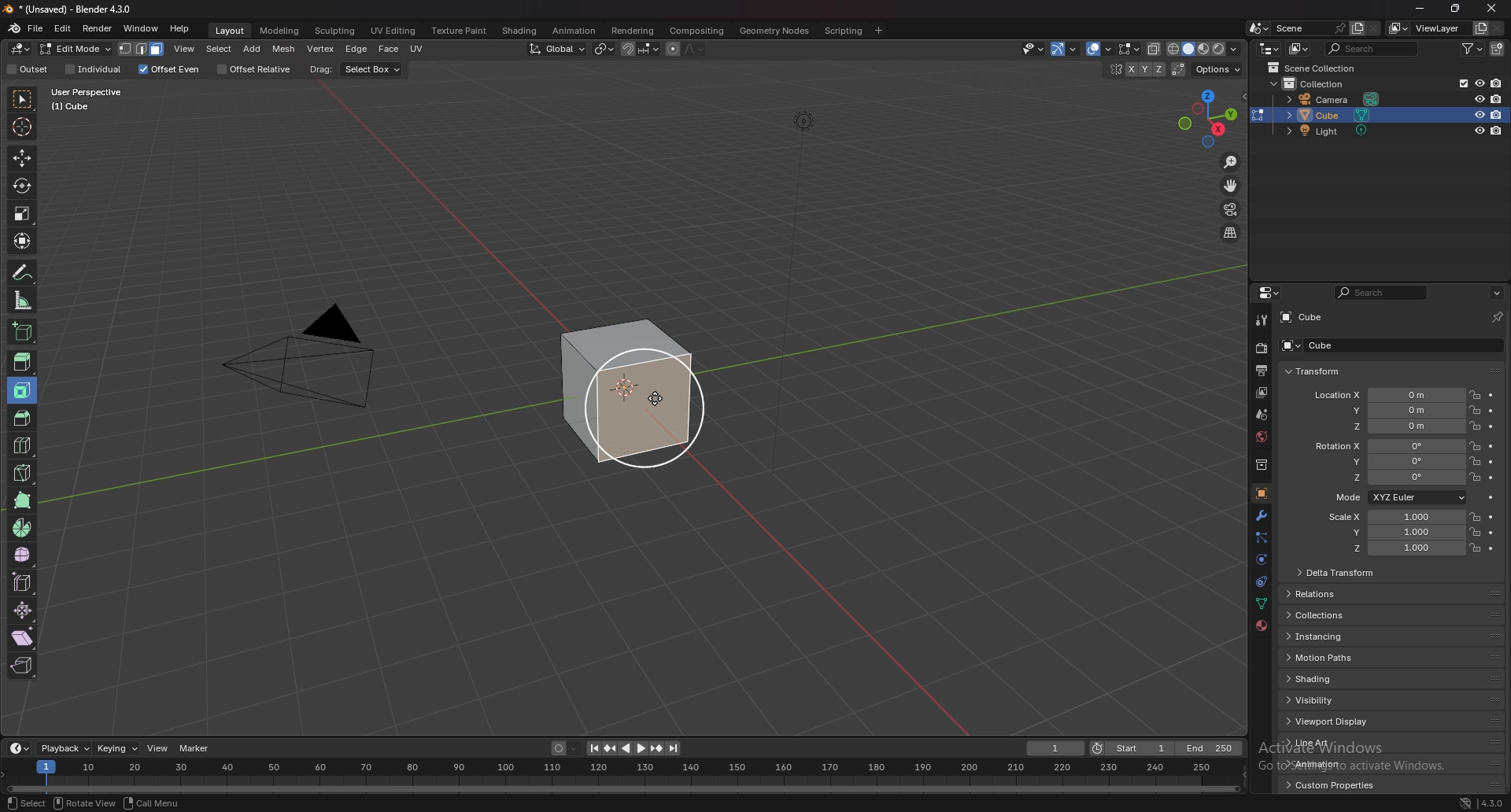  What do you see at coordinates (1492, 409) in the screenshot?
I see `animate property` at bounding box center [1492, 409].